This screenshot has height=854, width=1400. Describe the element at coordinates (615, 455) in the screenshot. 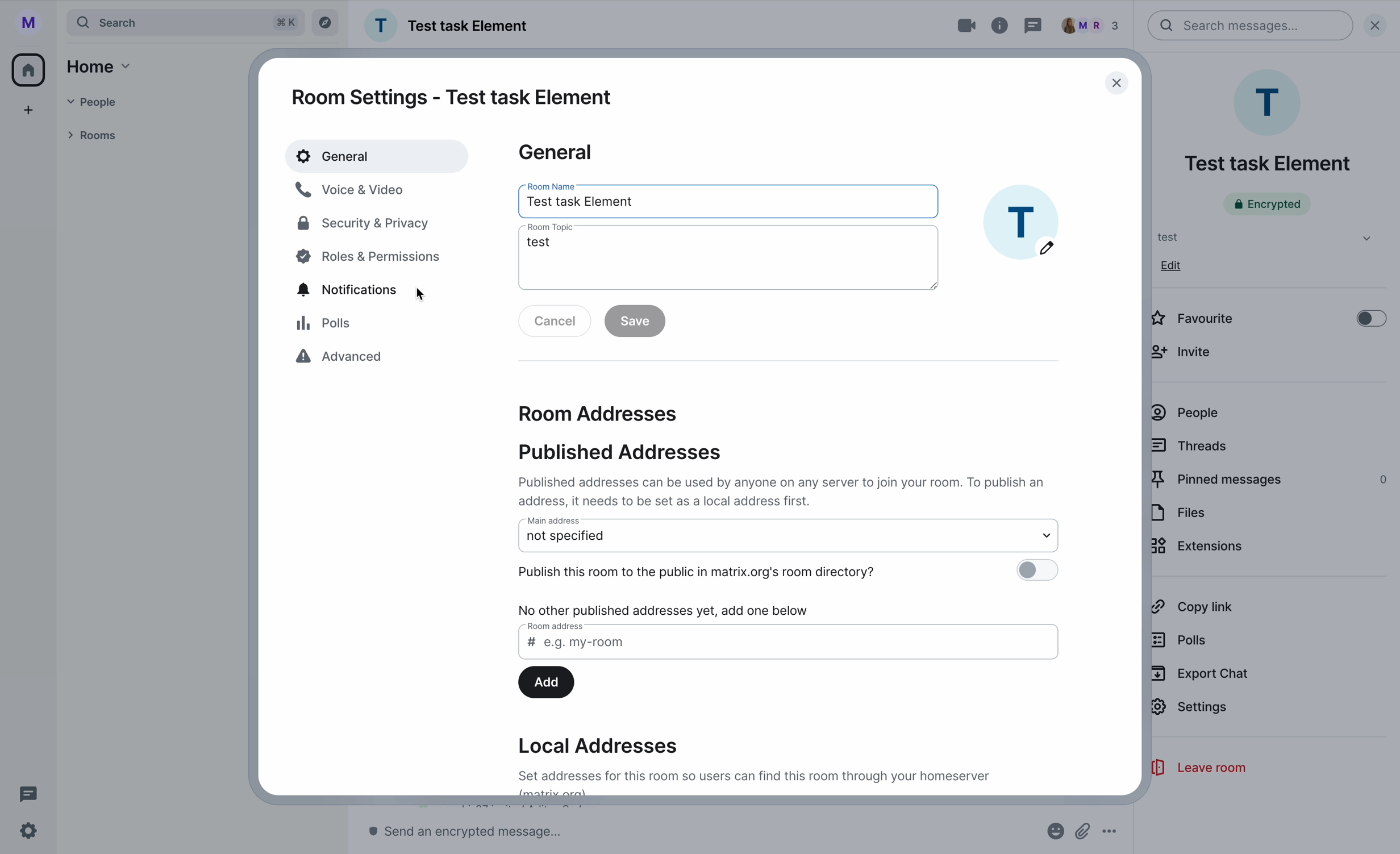

I see `published addresses` at that location.